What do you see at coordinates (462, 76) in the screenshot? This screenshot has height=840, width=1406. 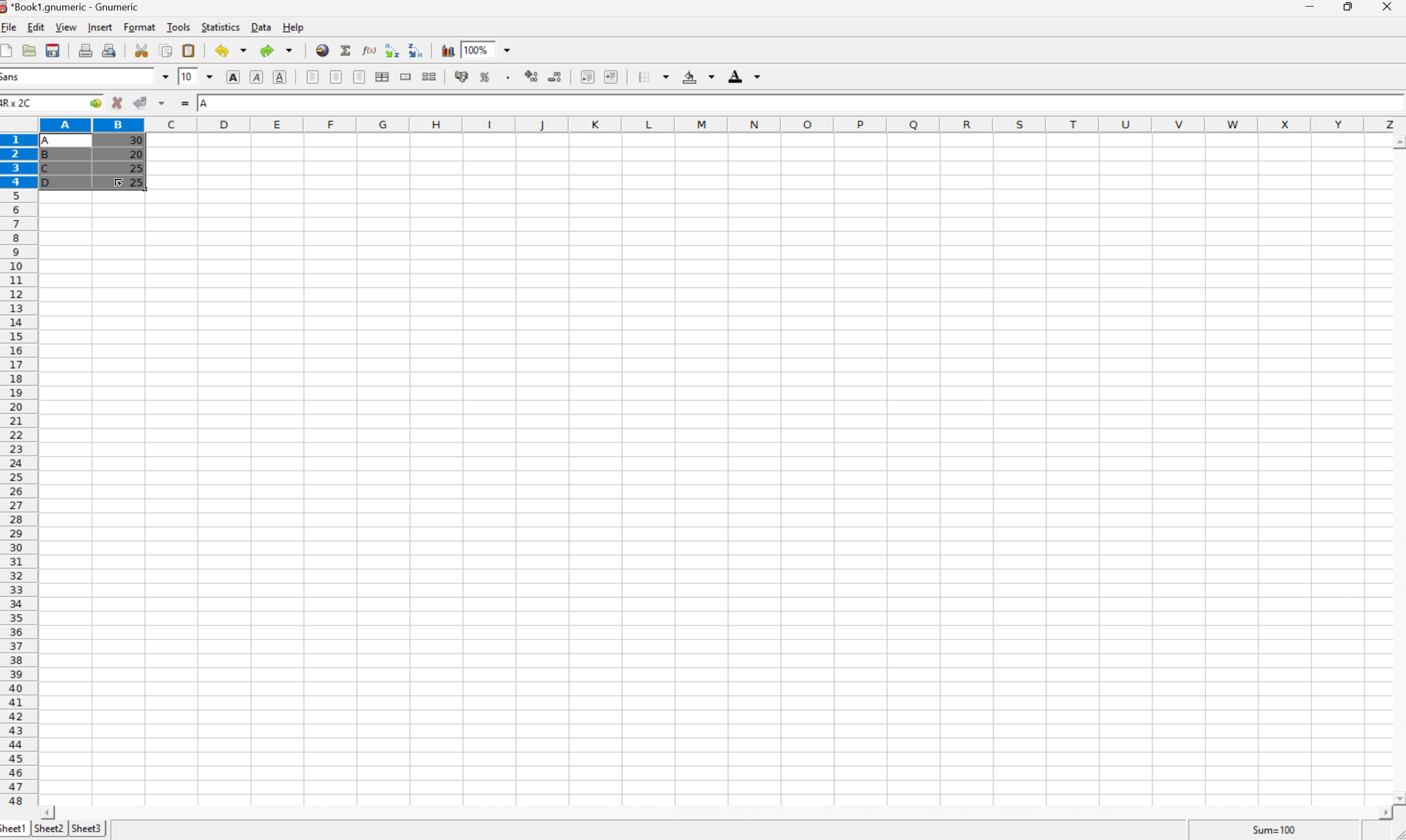 I see `Format selection as accounting` at bounding box center [462, 76].